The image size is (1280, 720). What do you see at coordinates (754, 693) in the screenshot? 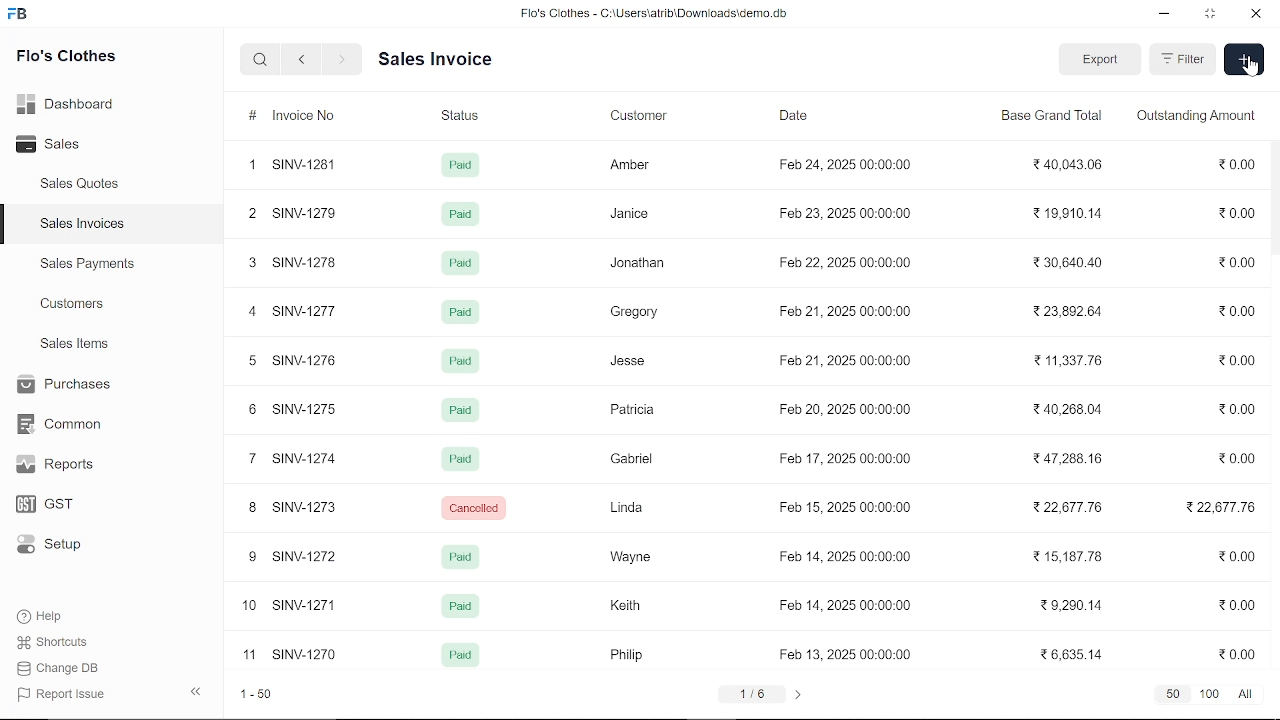
I see `1/6` at bounding box center [754, 693].